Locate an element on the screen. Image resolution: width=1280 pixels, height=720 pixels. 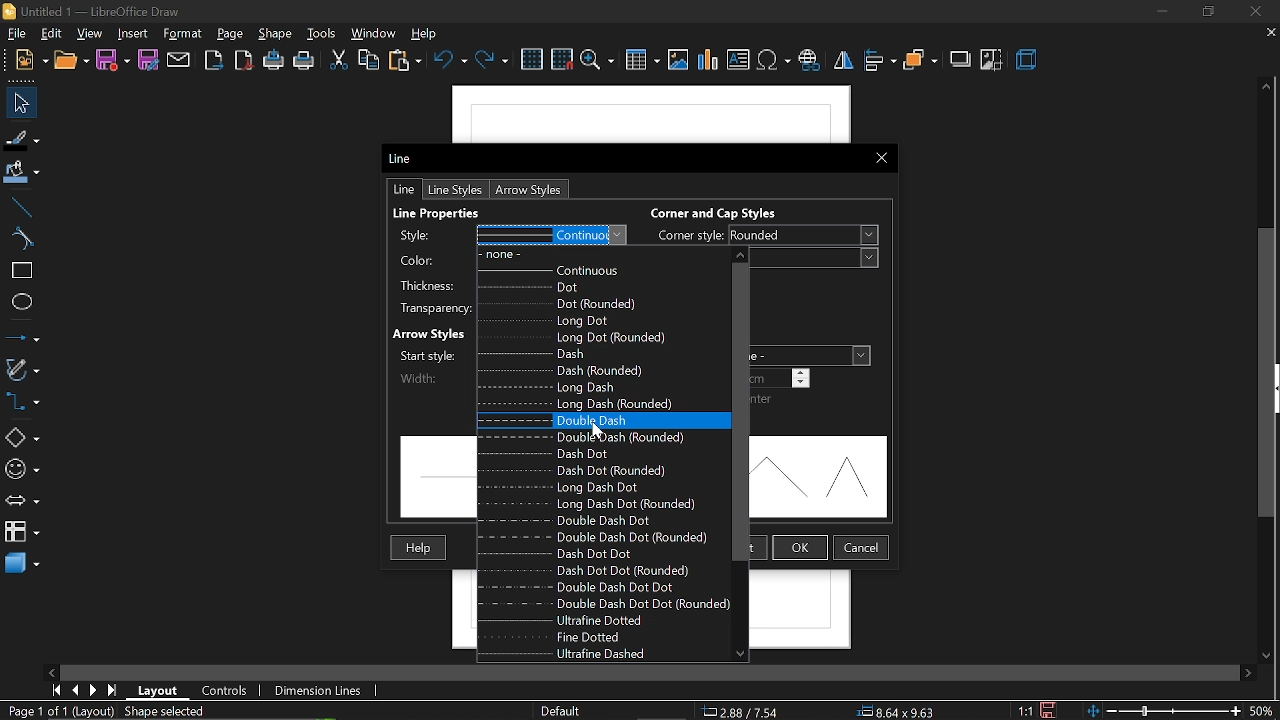
cancel is located at coordinates (862, 548).